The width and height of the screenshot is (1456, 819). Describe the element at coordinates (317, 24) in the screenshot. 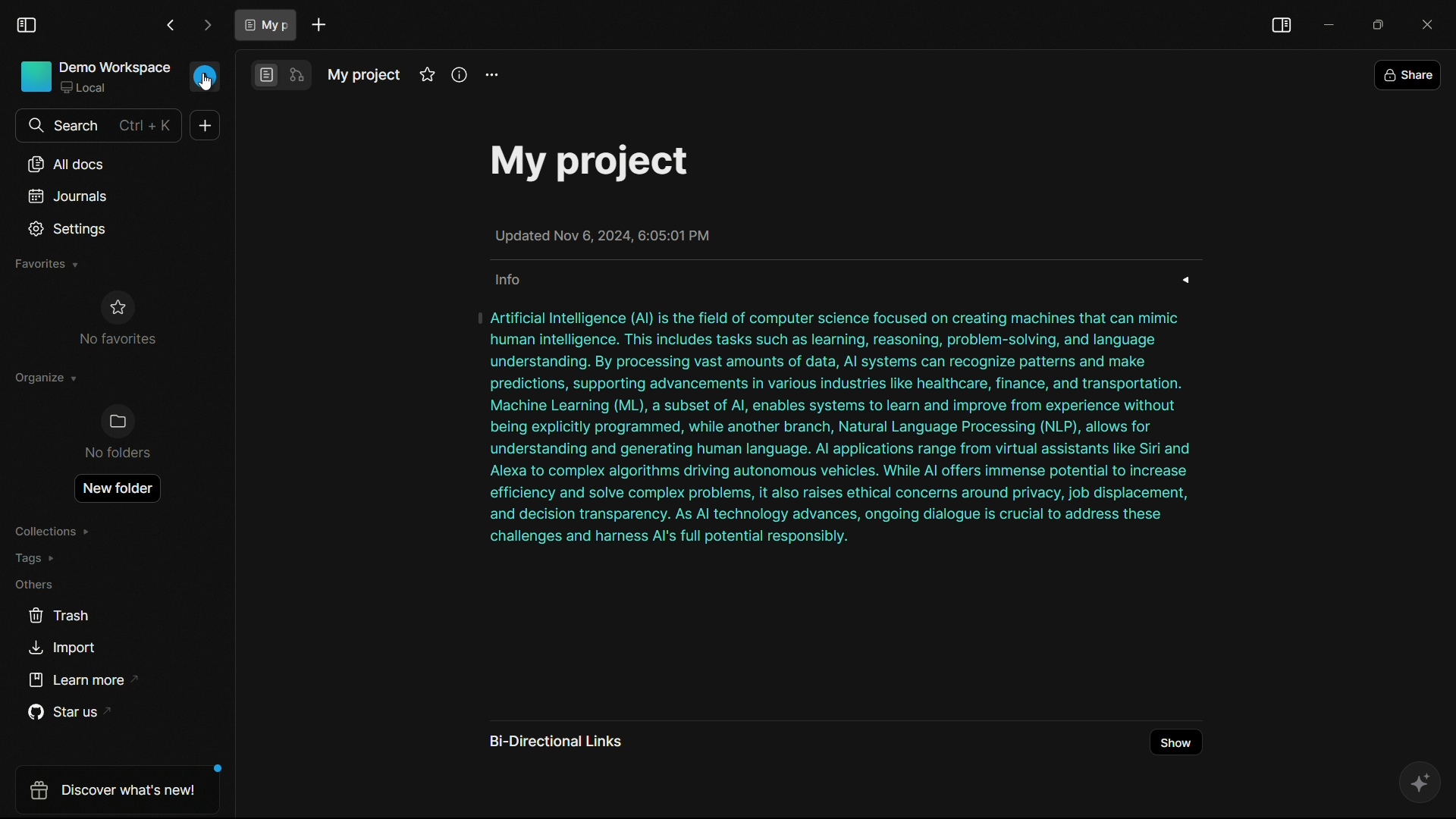

I see `new document` at that location.